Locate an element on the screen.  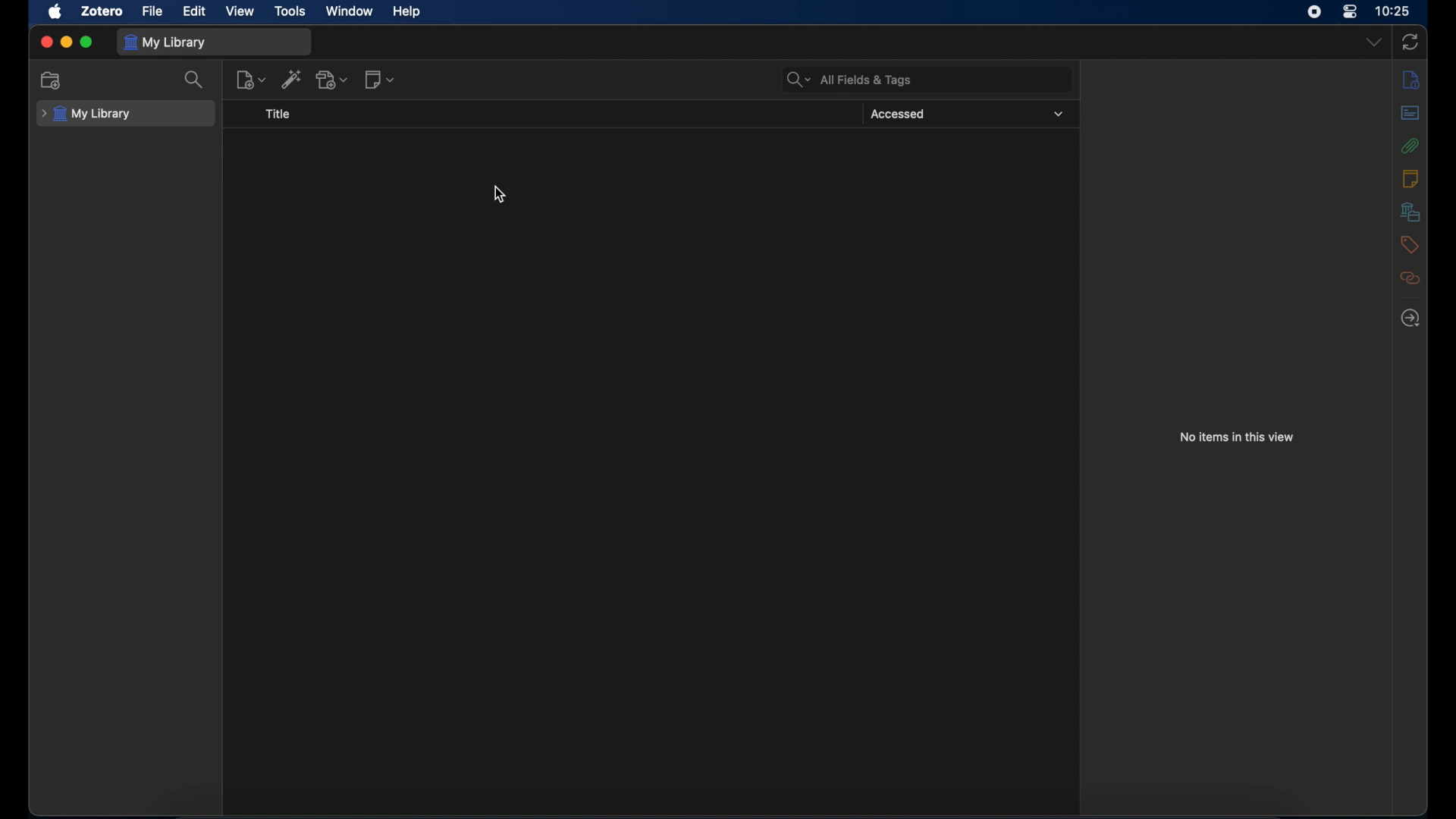
close is located at coordinates (45, 42).